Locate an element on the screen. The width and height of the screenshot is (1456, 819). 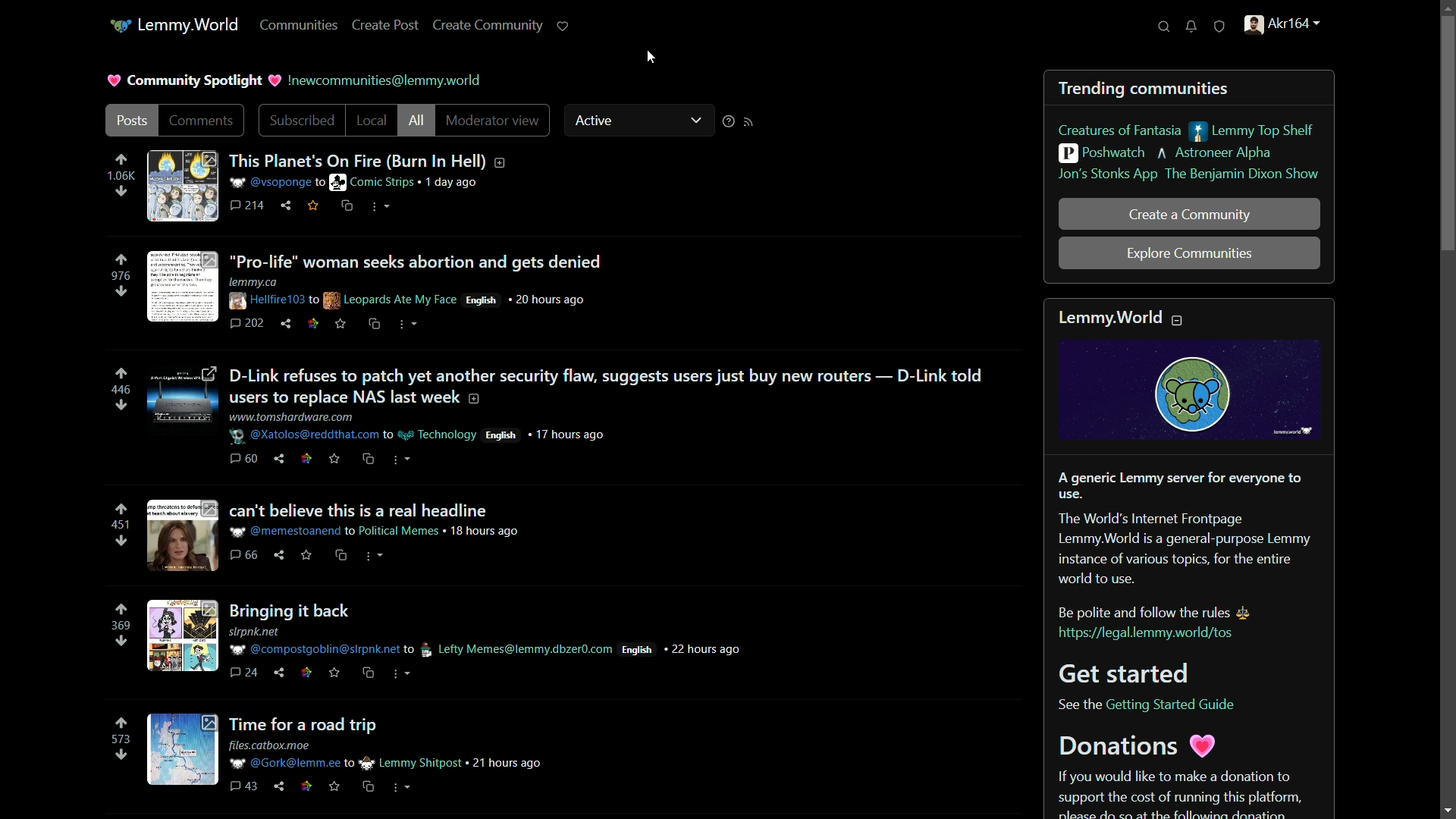
lemmy top shelf is located at coordinates (1250, 131).